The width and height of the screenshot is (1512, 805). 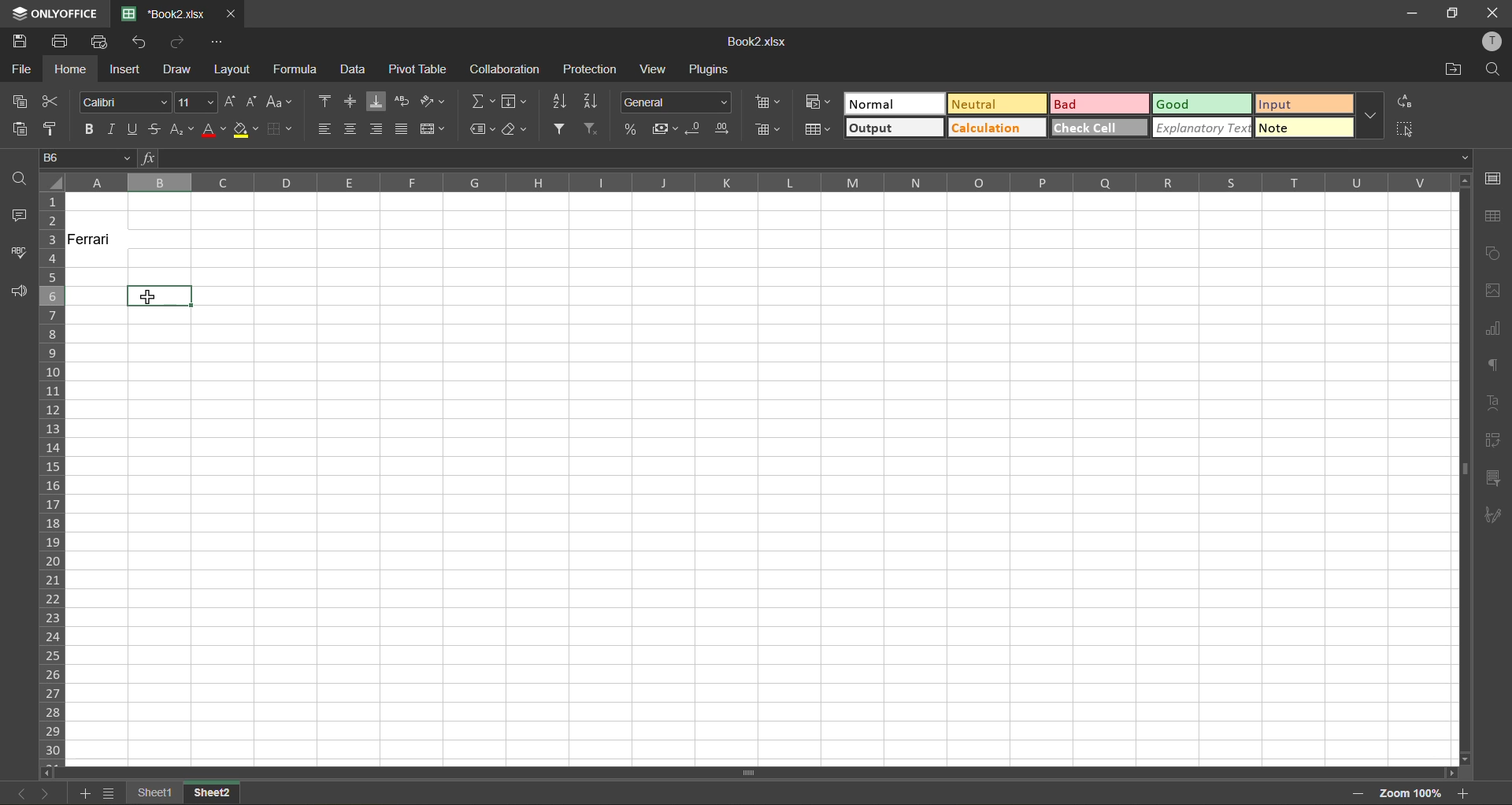 I want to click on vertical scrollbar, so click(x=1462, y=469).